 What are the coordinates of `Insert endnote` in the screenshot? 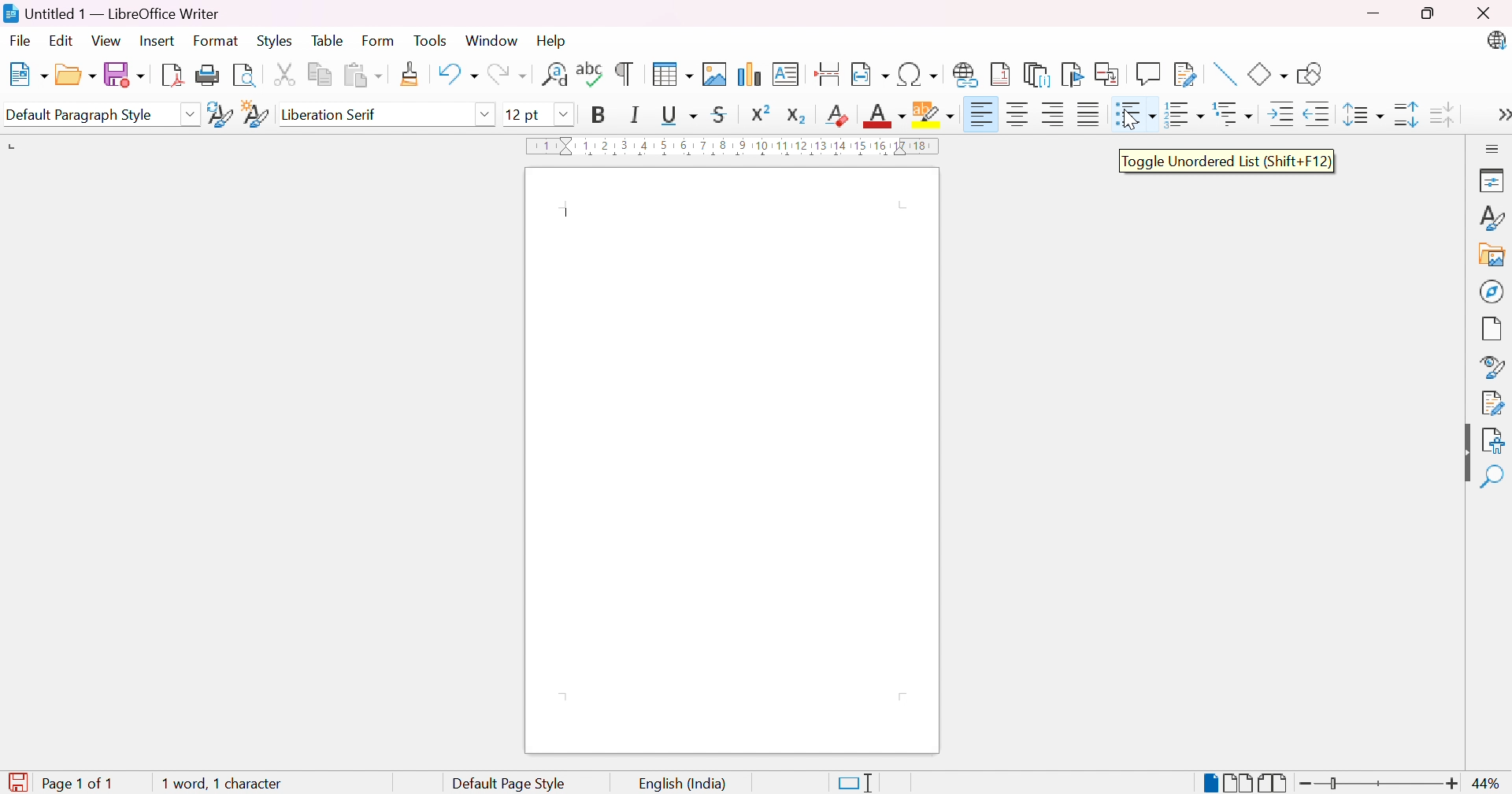 It's located at (1038, 74).